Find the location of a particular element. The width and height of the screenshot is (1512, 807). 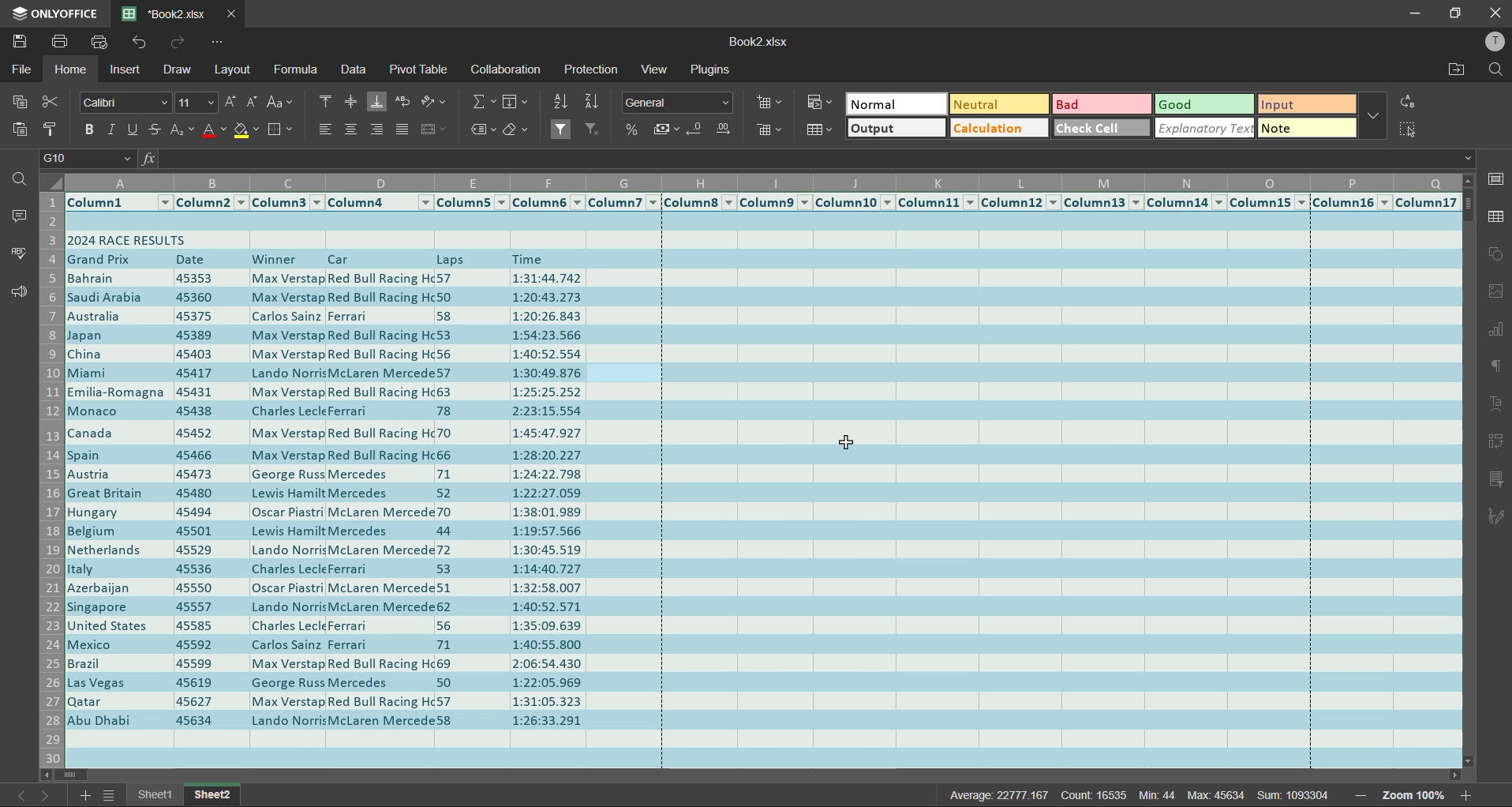

text is located at coordinates (1496, 405).